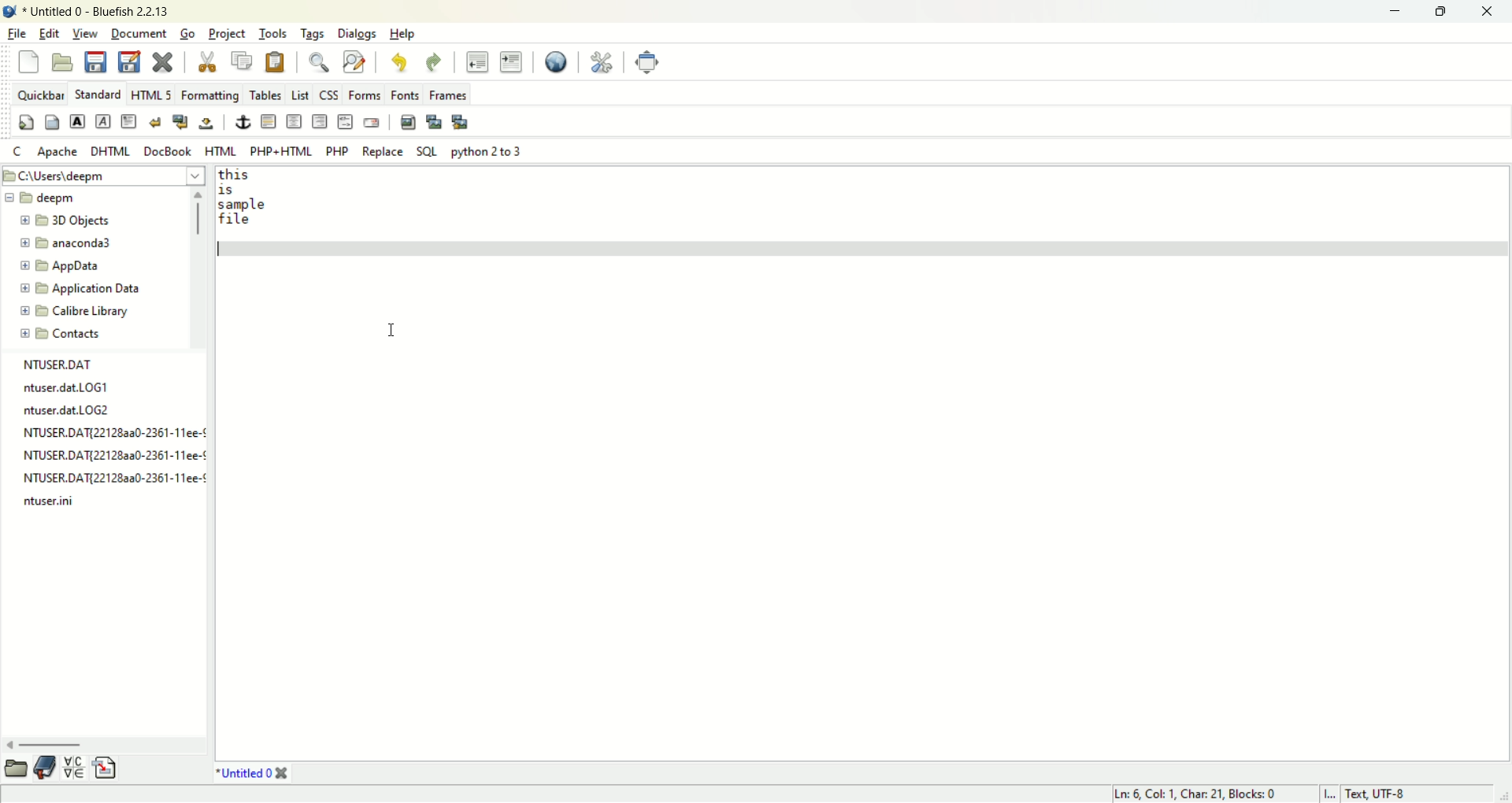  What do you see at coordinates (97, 11) in the screenshot?
I see `title` at bounding box center [97, 11].